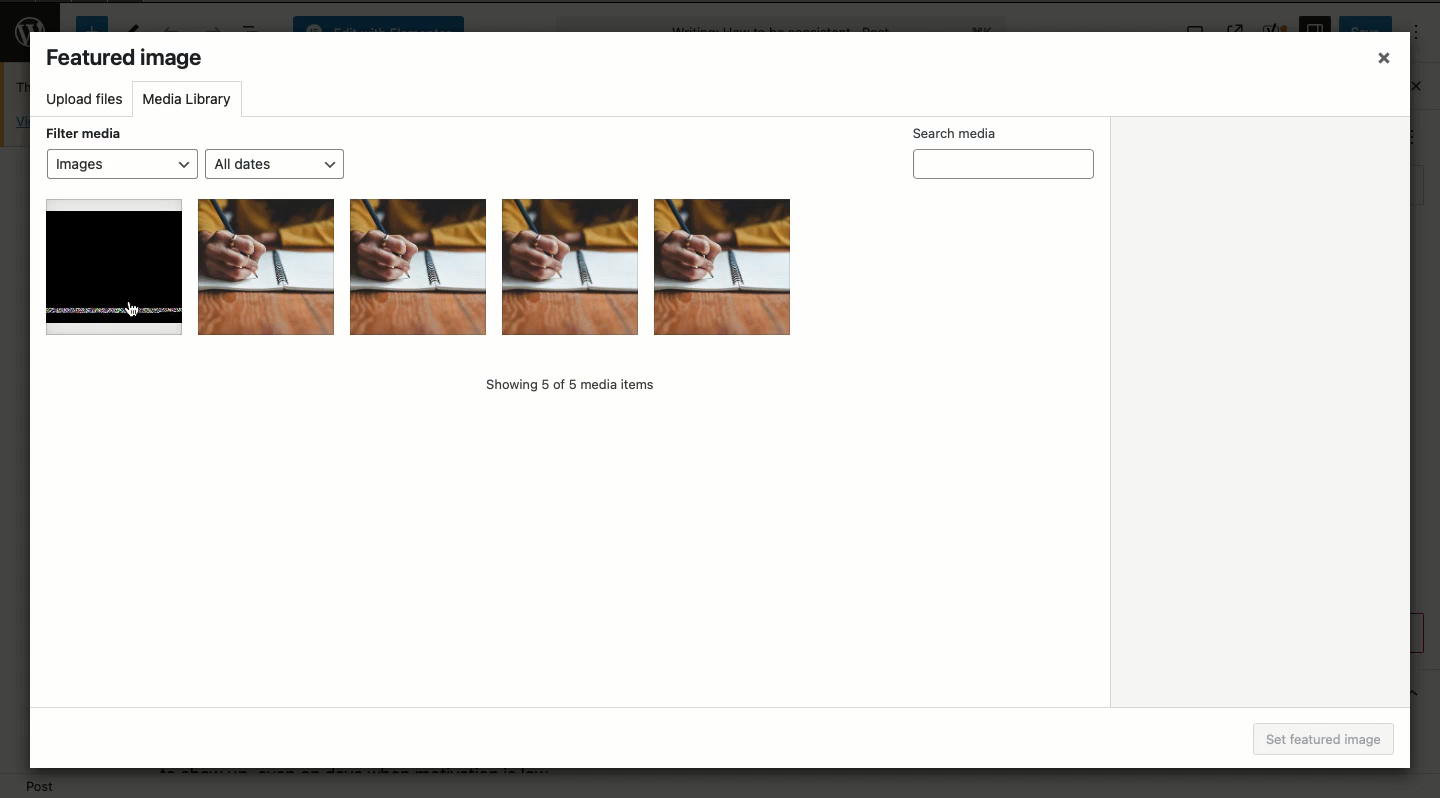 The image size is (1440, 798). What do you see at coordinates (124, 60) in the screenshot?
I see `Featured image` at bounding box center [124, 60].